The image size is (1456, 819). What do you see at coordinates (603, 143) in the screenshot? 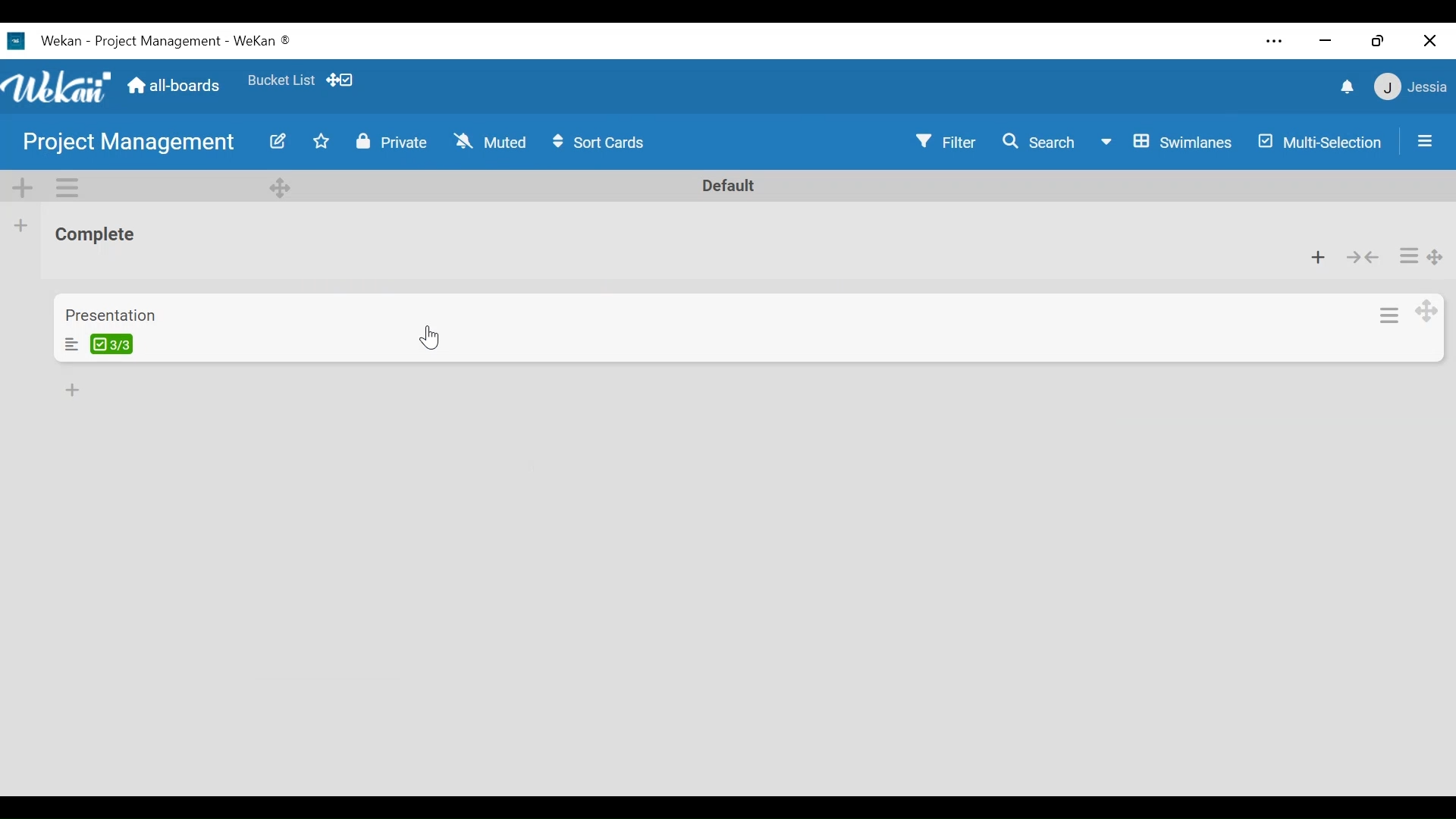
I see `Sort Cards` at bounding box center [603, 143].